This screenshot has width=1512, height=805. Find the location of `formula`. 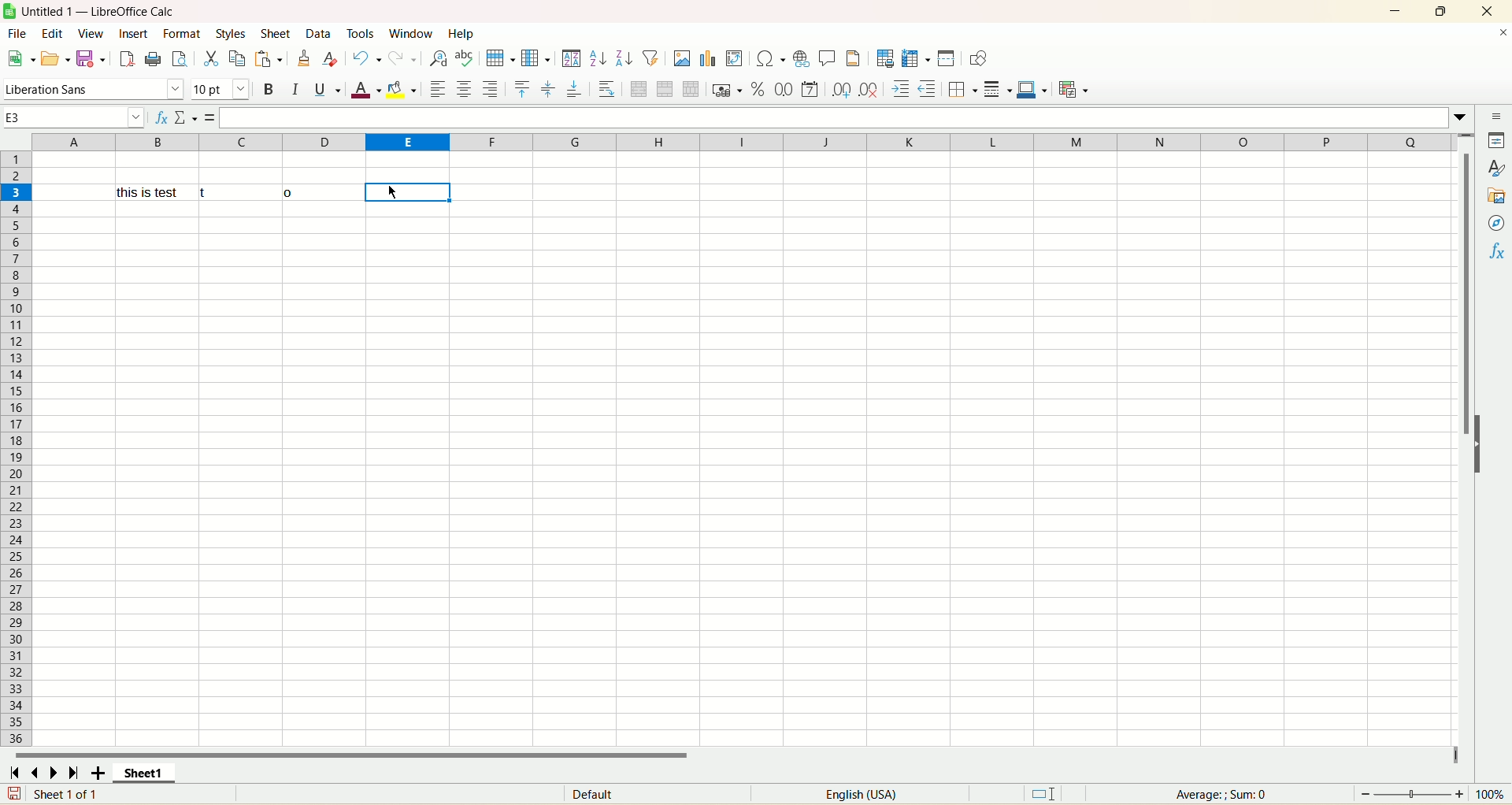

formula is located at coordinates (209, 117).